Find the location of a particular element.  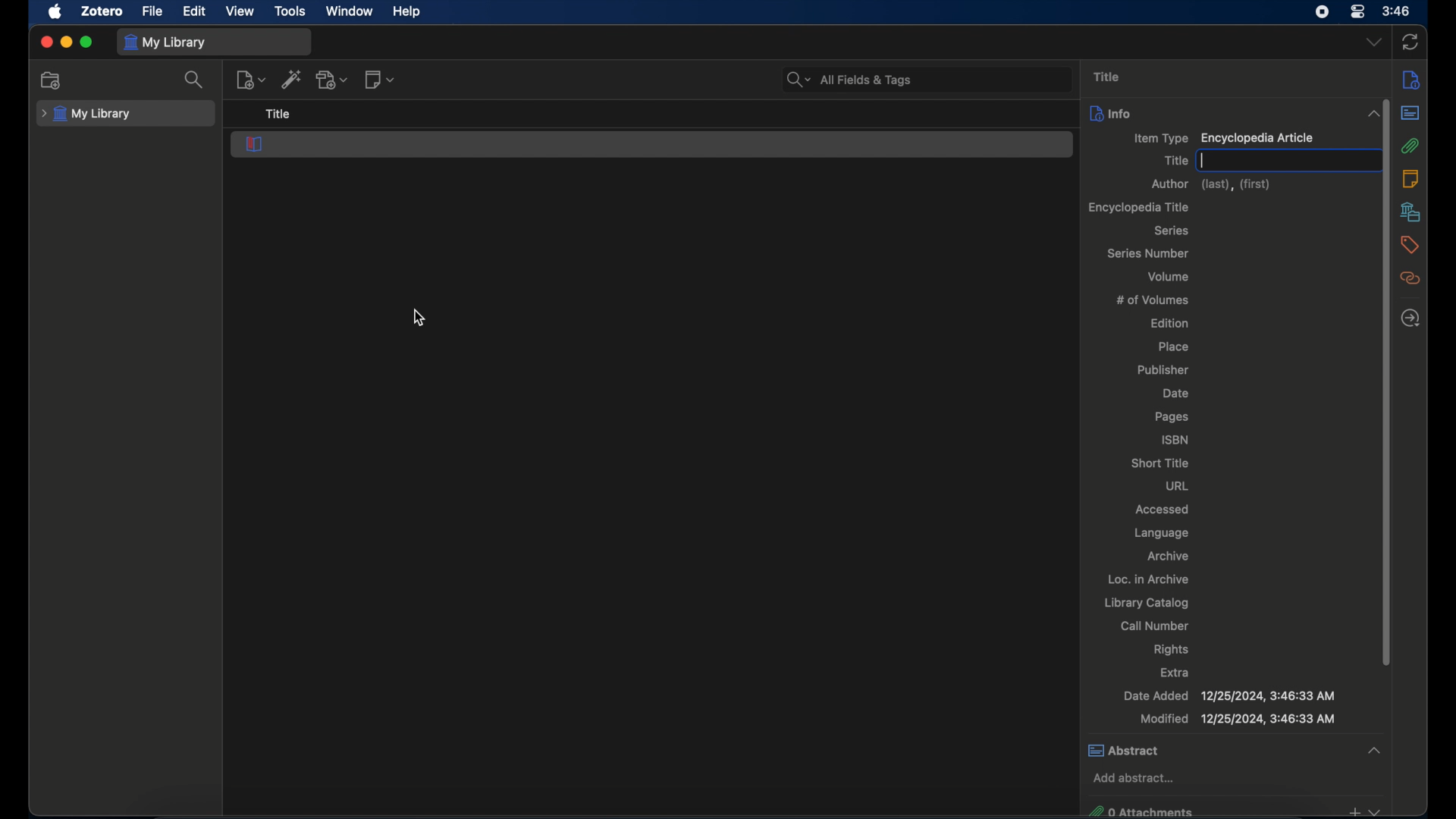

zotero is located at coordinates (104, 10).